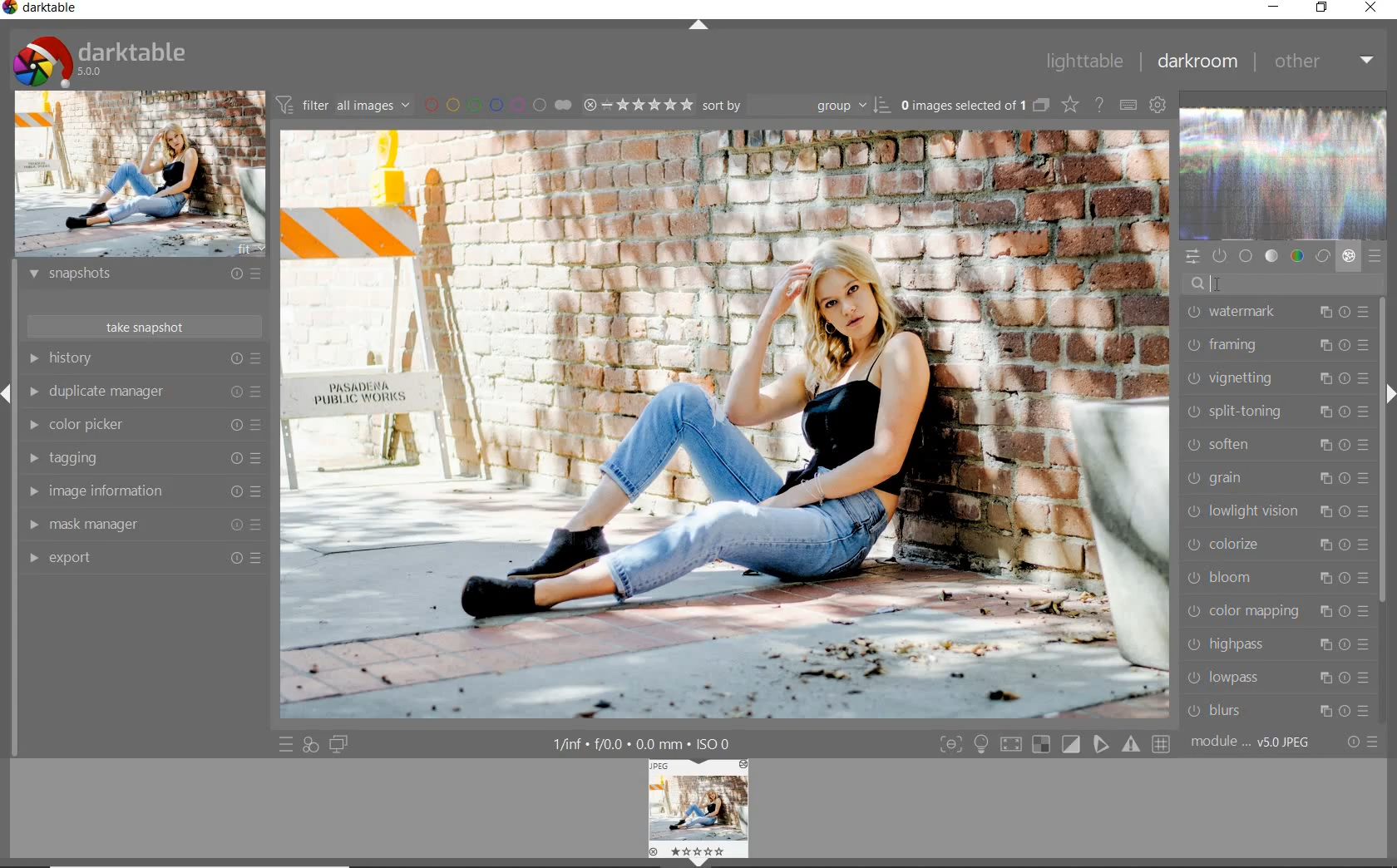  What do you see at coordinates (1052, 745) in the screenshot?
I see `toggle modes` at bounding box center [1052, 745].